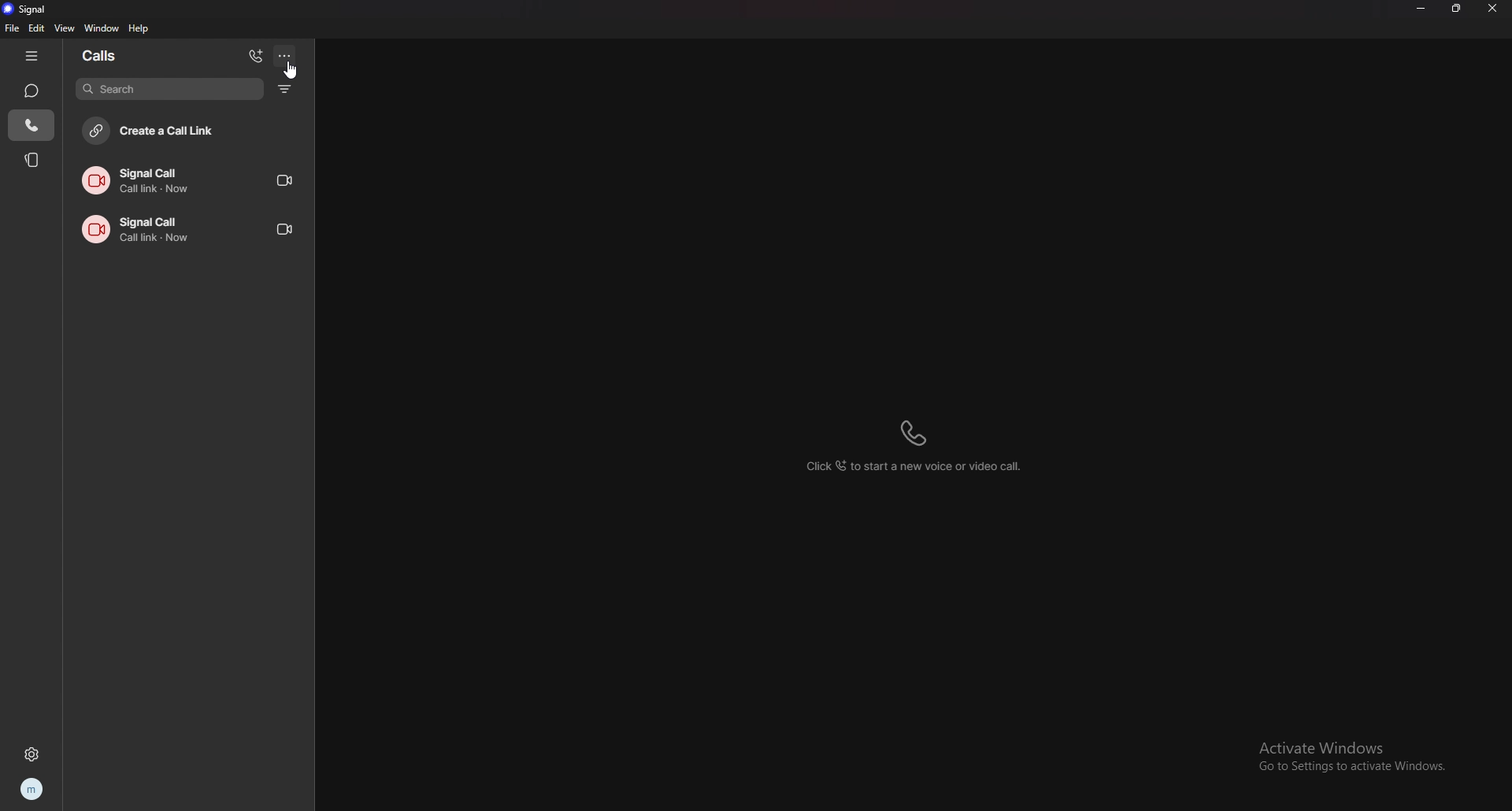 The image size is (1512, 811). Describe the element at coordinates (286, 88) in the screenshot. I see `filter` at that location.